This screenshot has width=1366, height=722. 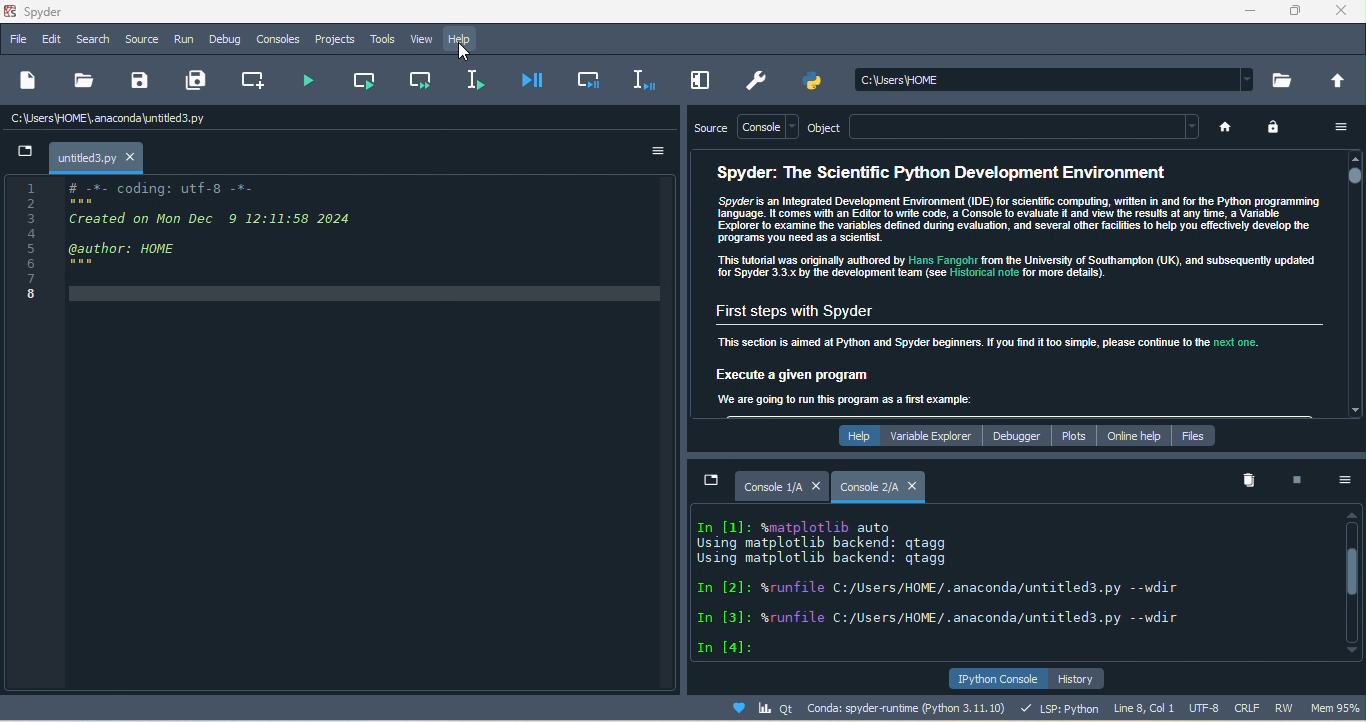 What do you see at coordinates (467, 39) in the screenshot?
I see `help` at bounding box center [467, 39].